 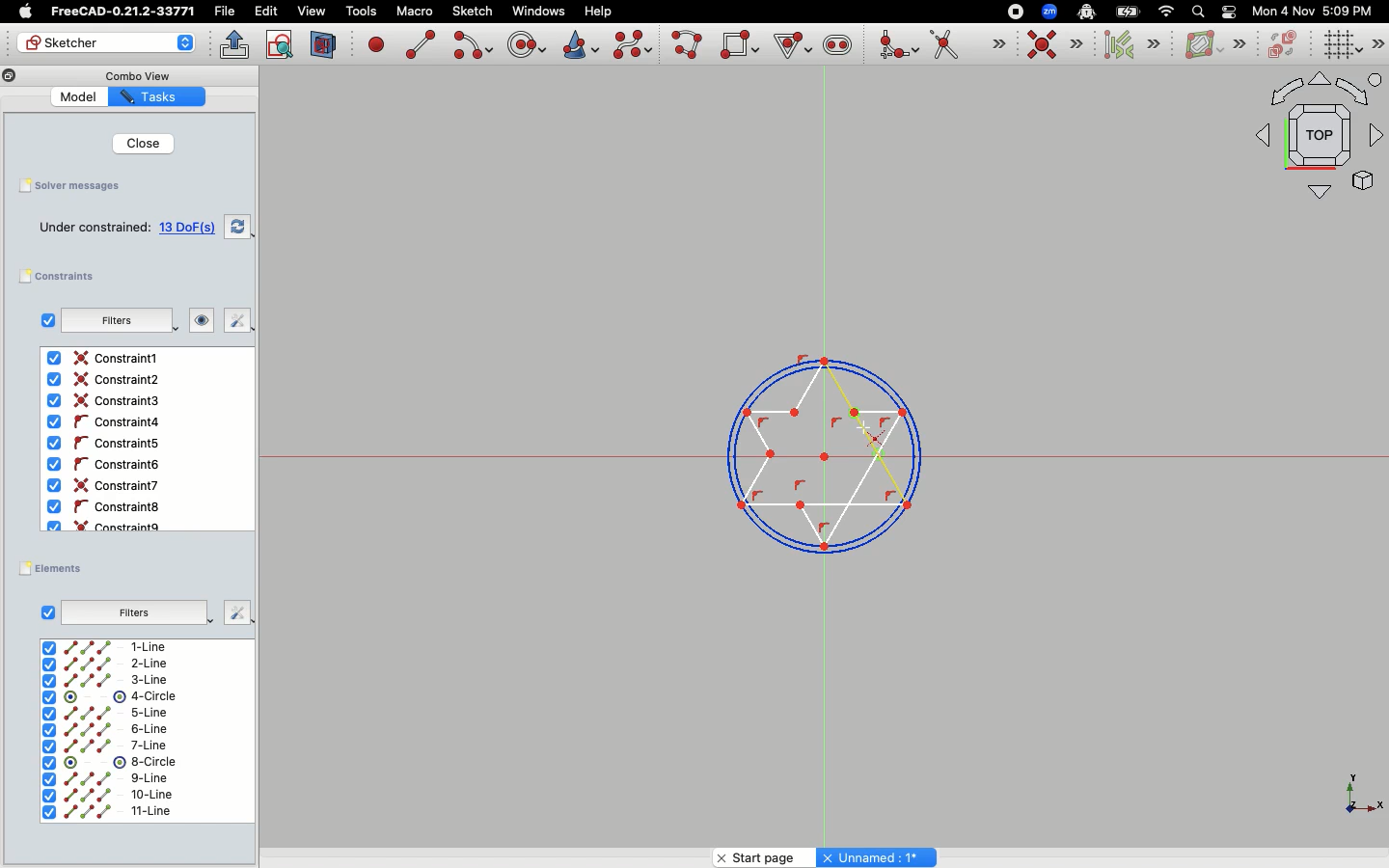 I want to click on Create poly line, so click(x=688, y=46).